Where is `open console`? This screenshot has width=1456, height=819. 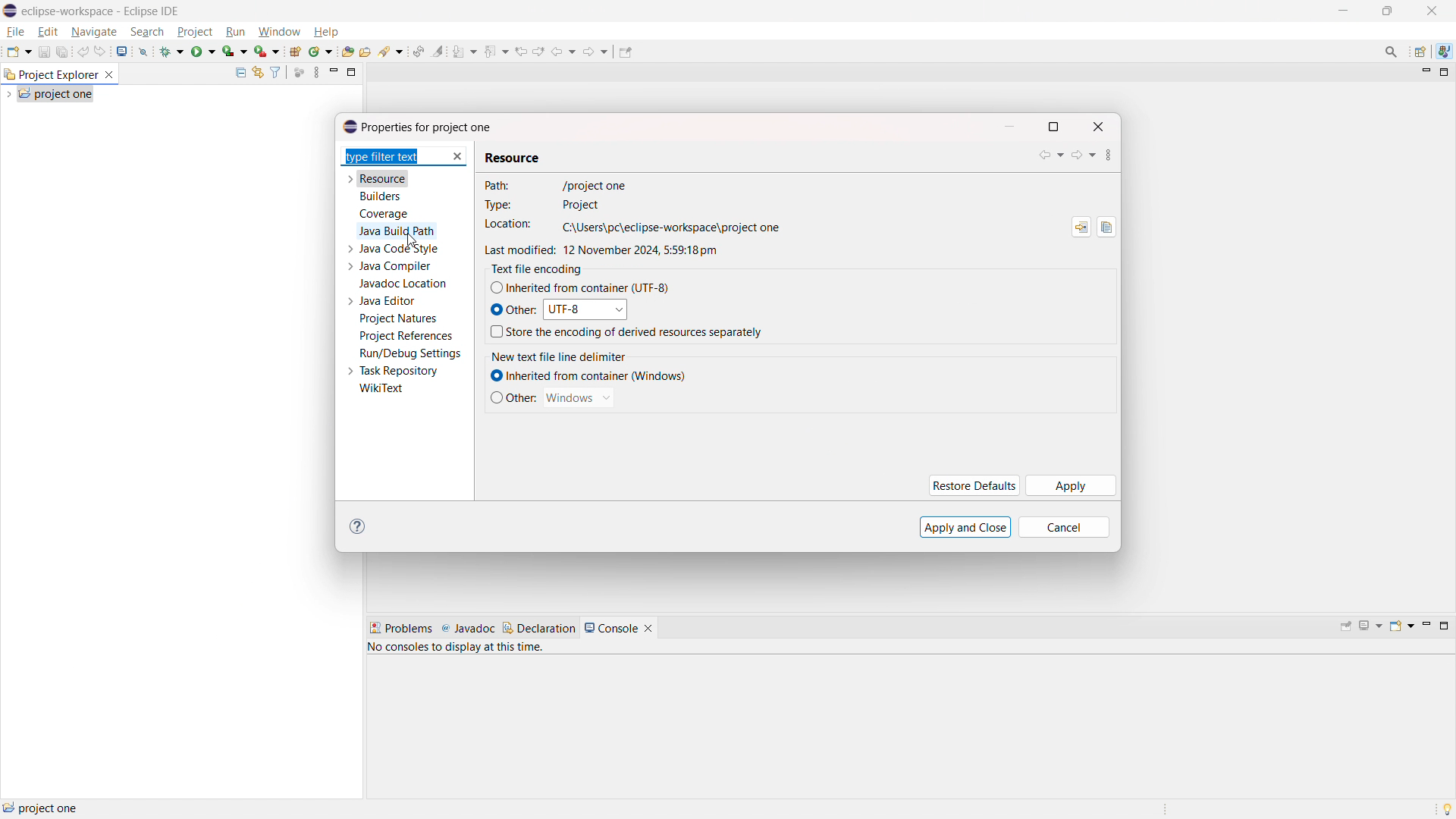 open console is located at coordinates (1401, 626).